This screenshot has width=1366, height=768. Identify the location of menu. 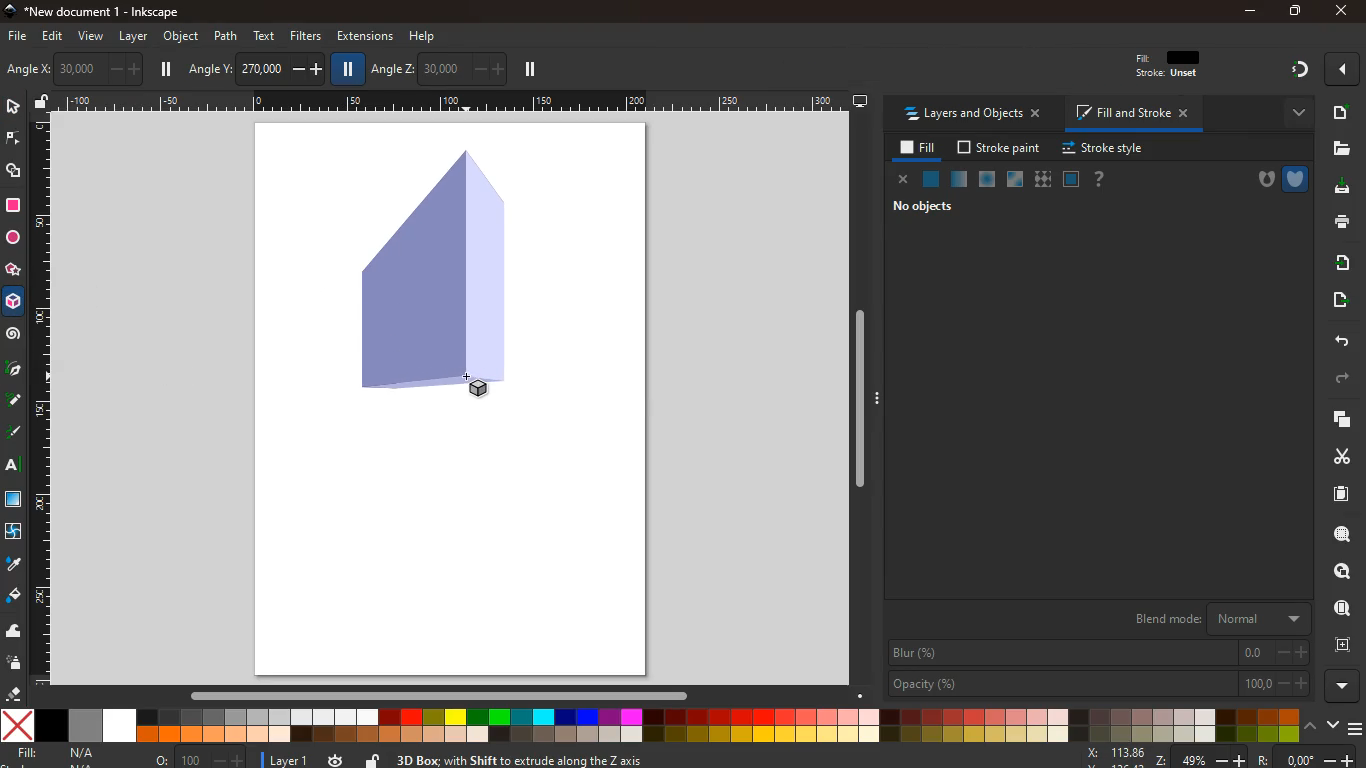
(1354, 724).